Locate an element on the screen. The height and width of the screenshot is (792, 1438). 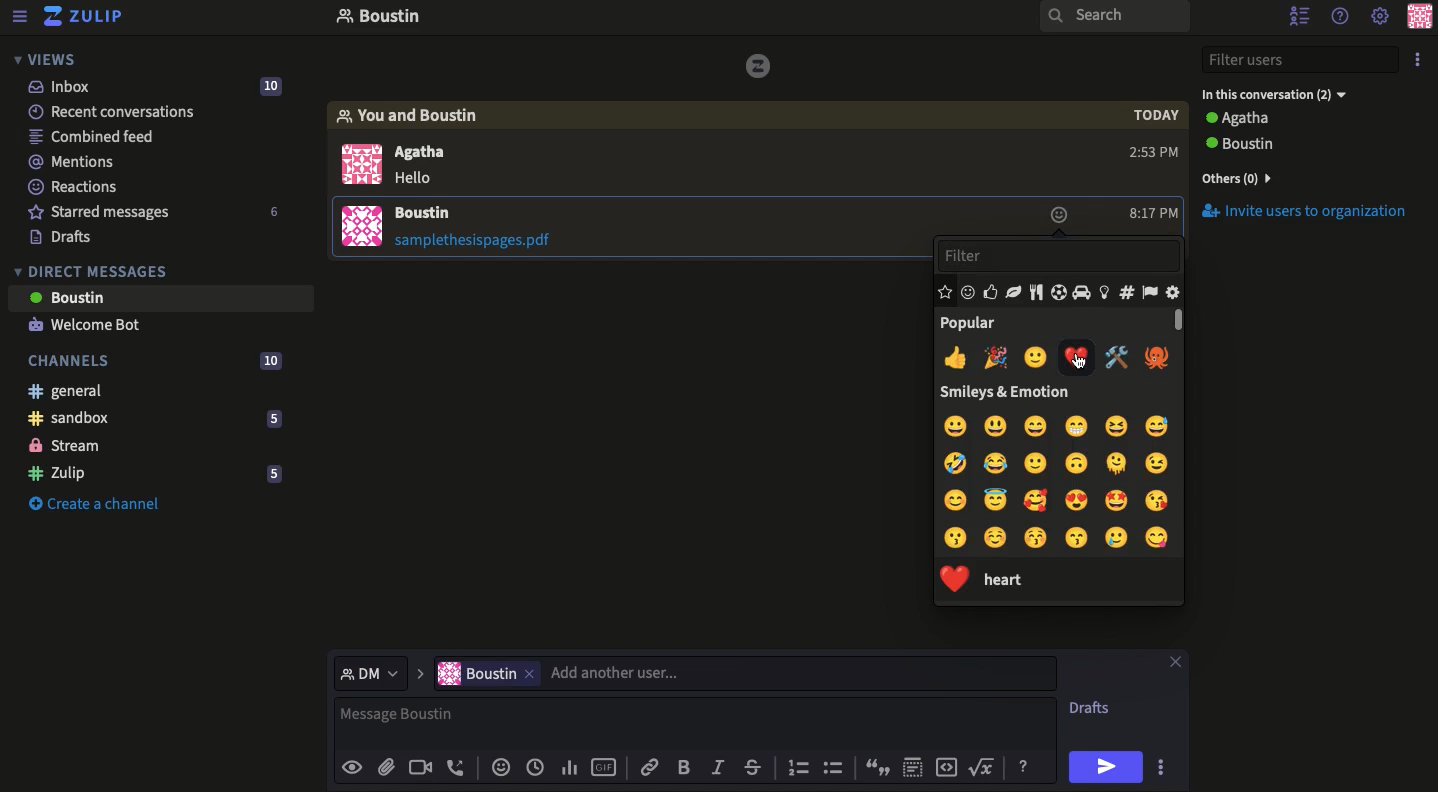
upside down is located at coordinates (1072, 464).